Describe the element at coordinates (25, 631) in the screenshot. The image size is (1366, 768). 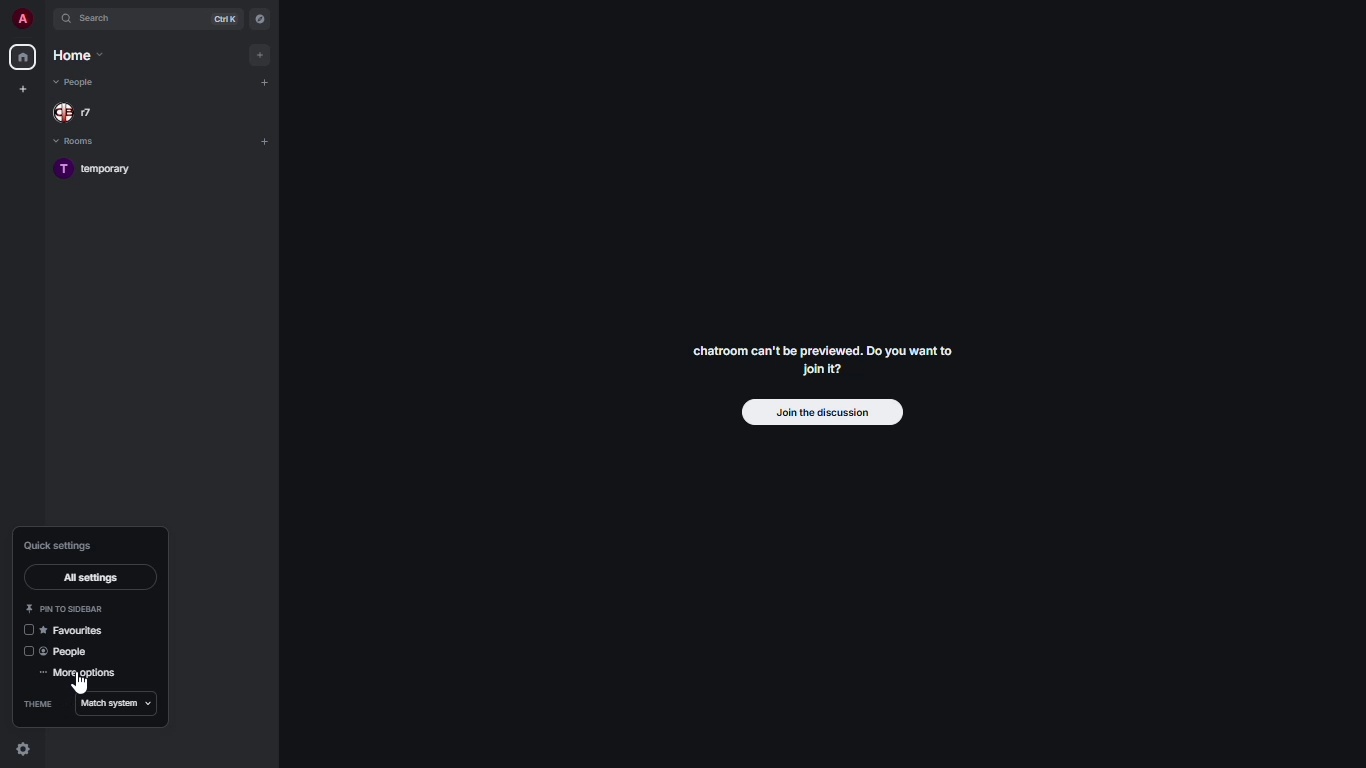
I see `disabled` at that location.